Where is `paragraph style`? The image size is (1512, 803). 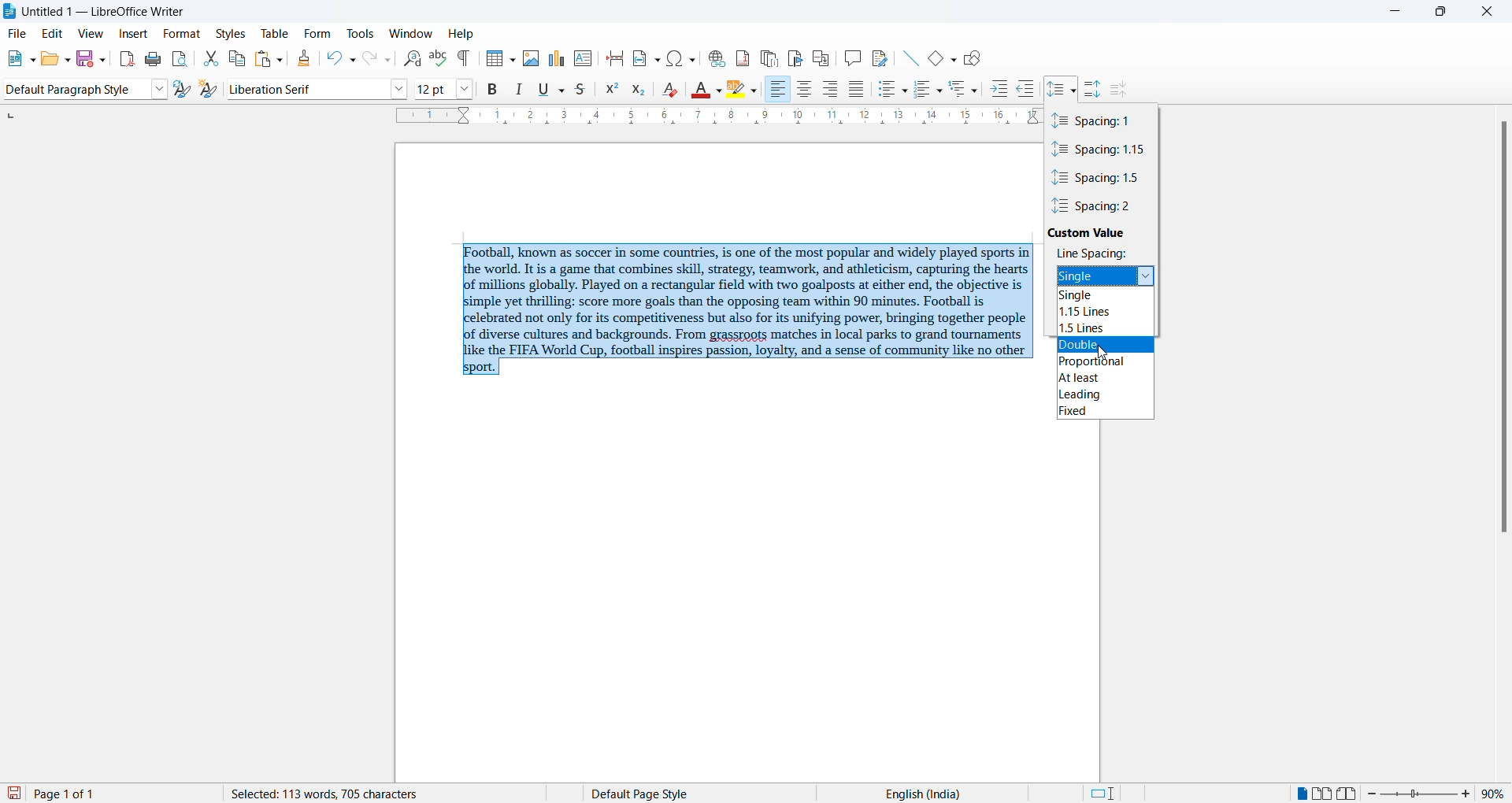 paragraph style is located at coordinates (79, 88).